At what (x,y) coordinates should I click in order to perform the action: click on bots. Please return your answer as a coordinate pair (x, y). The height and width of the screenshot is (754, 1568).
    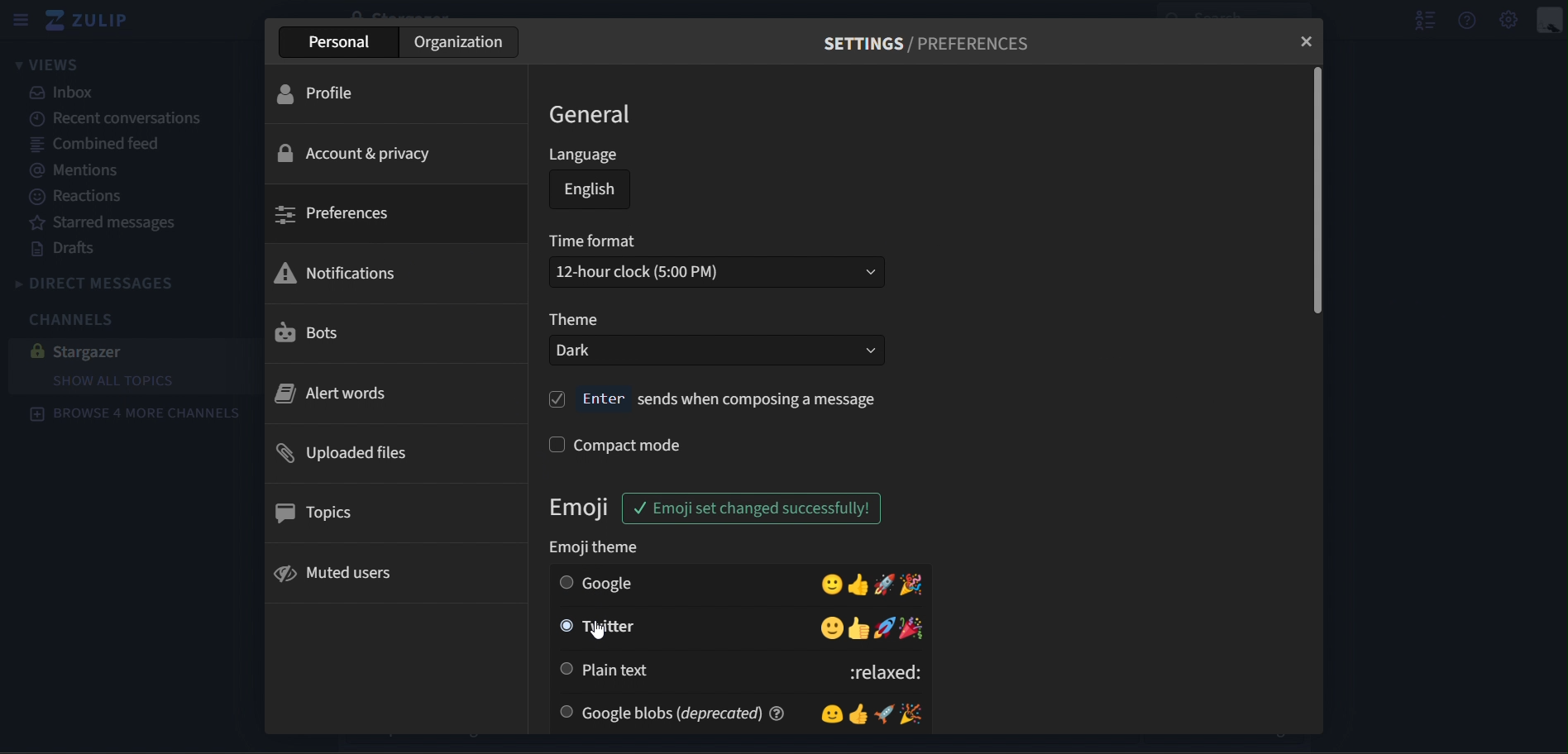
    Looking at the image, I should click on (323, 332).